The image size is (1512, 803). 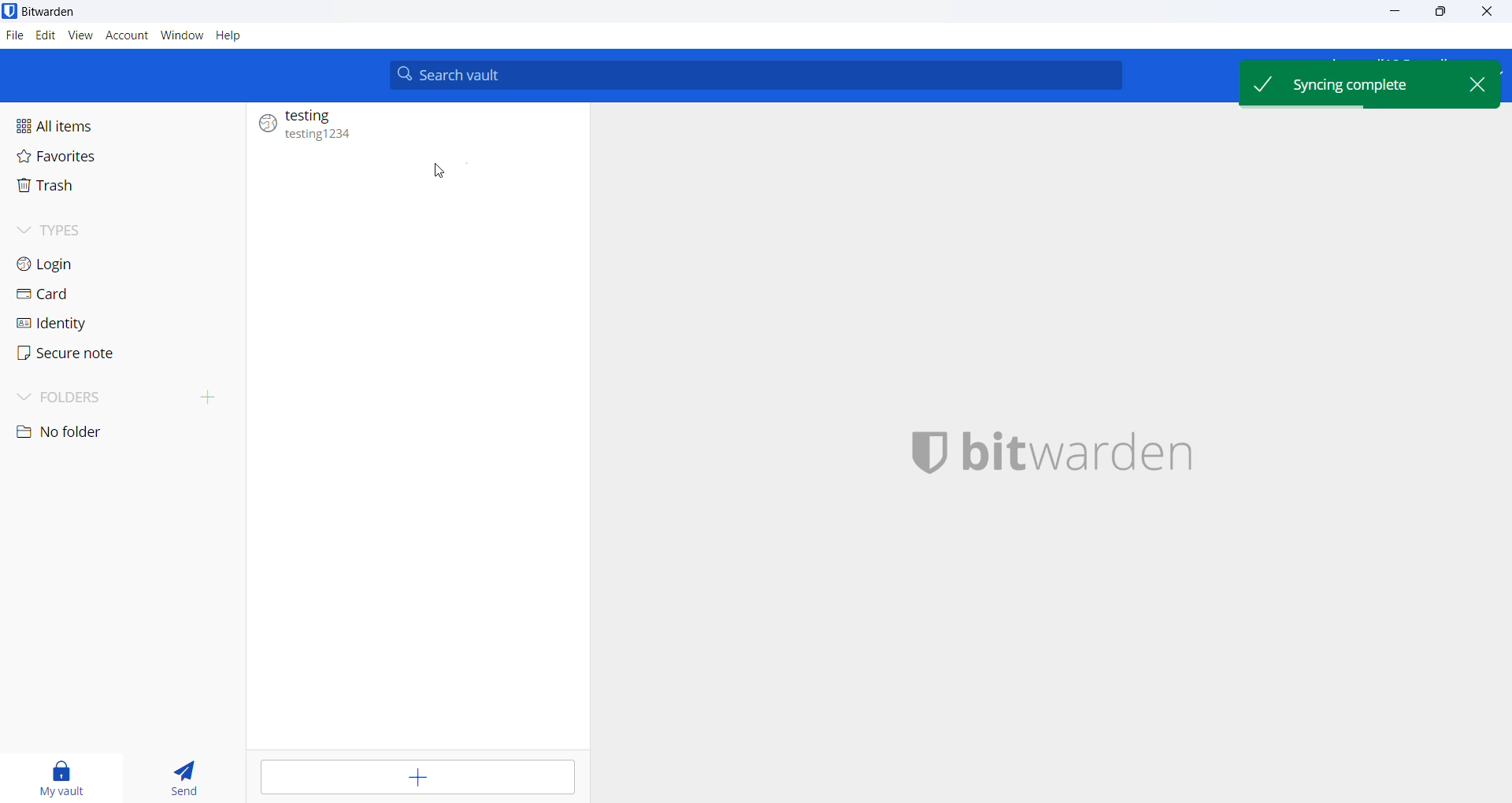 I want to click on account, so click(x=124, y=36).